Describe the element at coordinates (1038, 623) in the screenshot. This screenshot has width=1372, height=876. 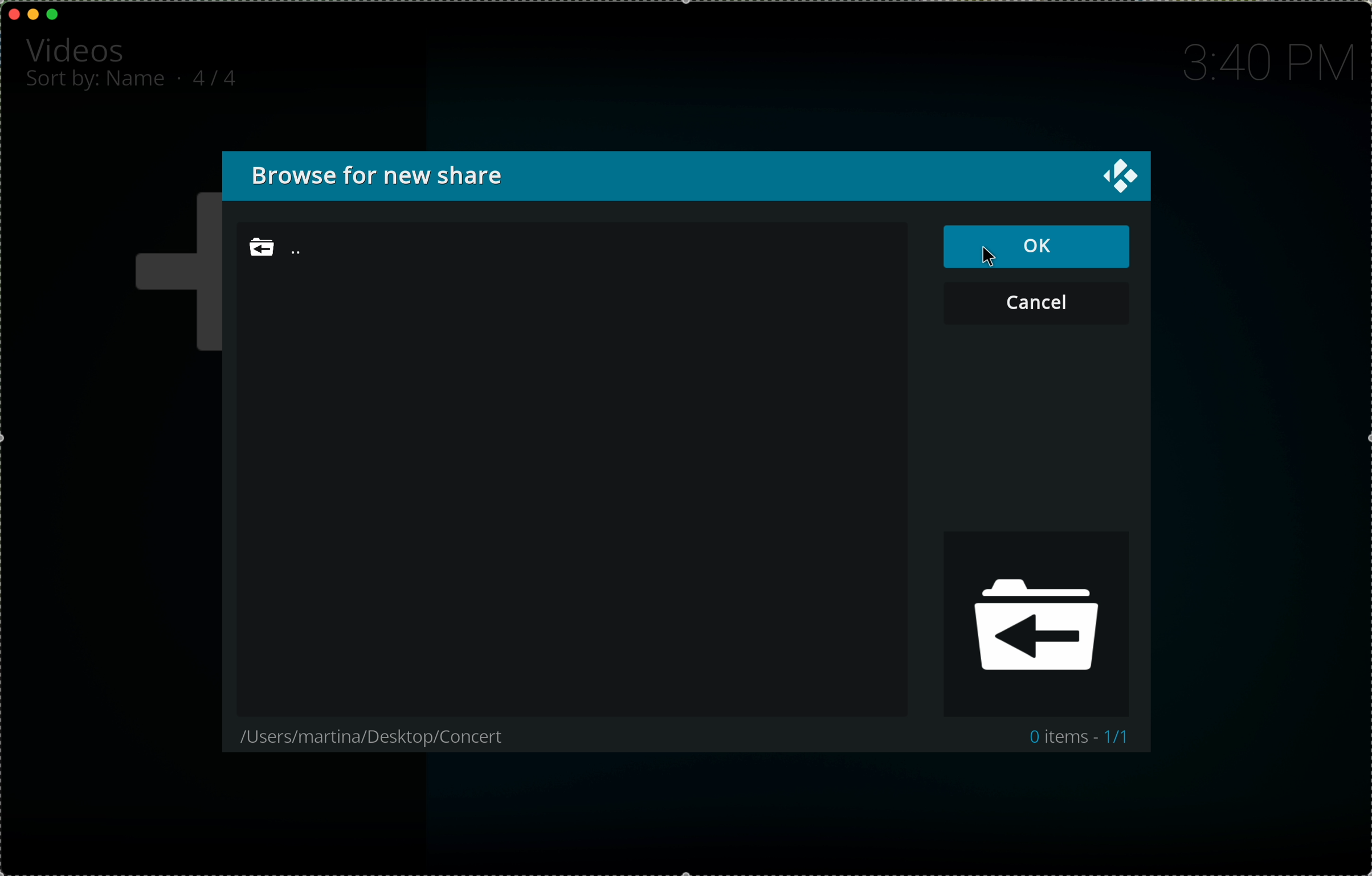
I see `back folder icon` at that location.